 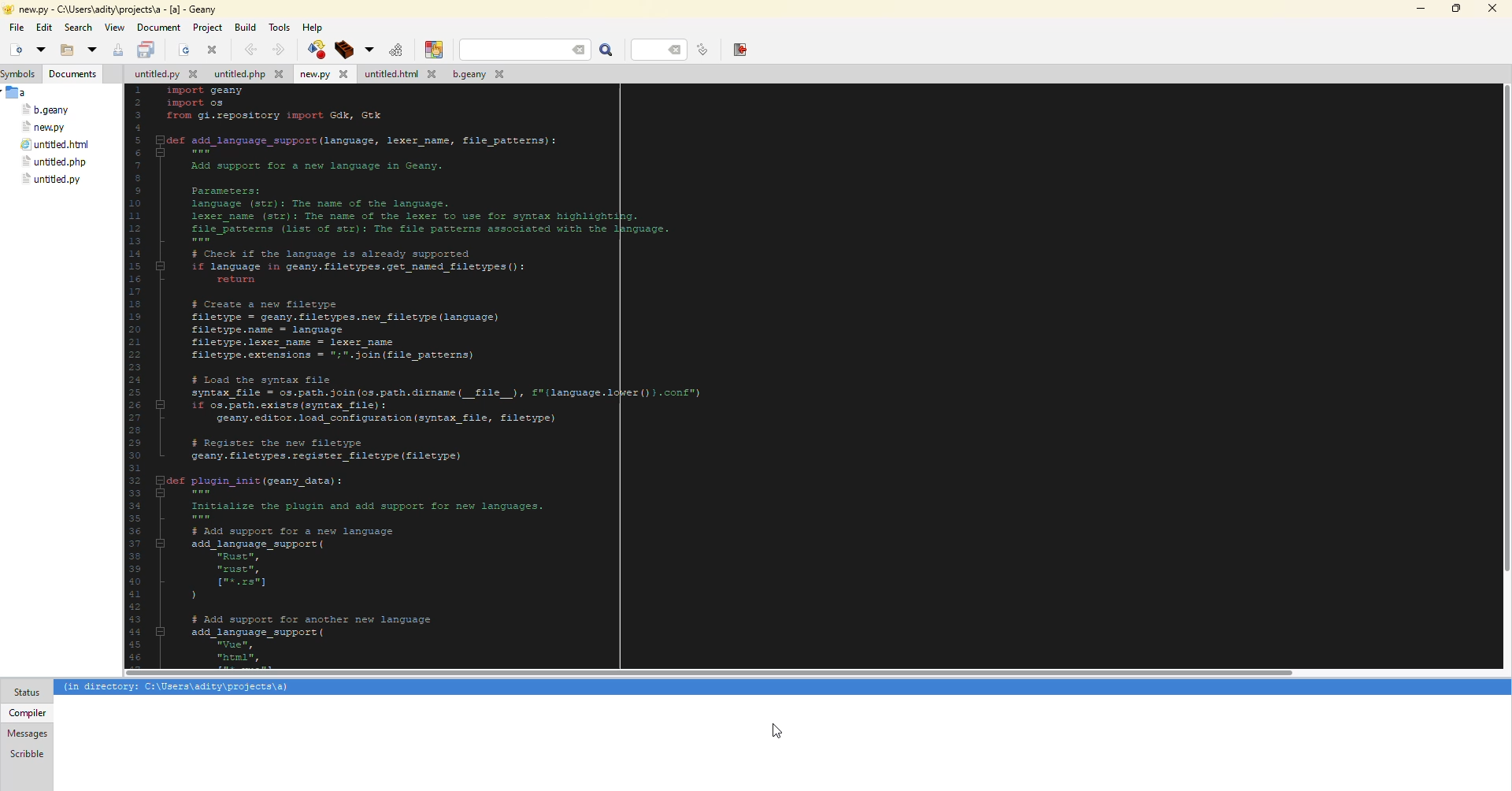 What do you see at coordinates (118, 50) in the screenshot?
I see `save` at bounding box center [118, 50].